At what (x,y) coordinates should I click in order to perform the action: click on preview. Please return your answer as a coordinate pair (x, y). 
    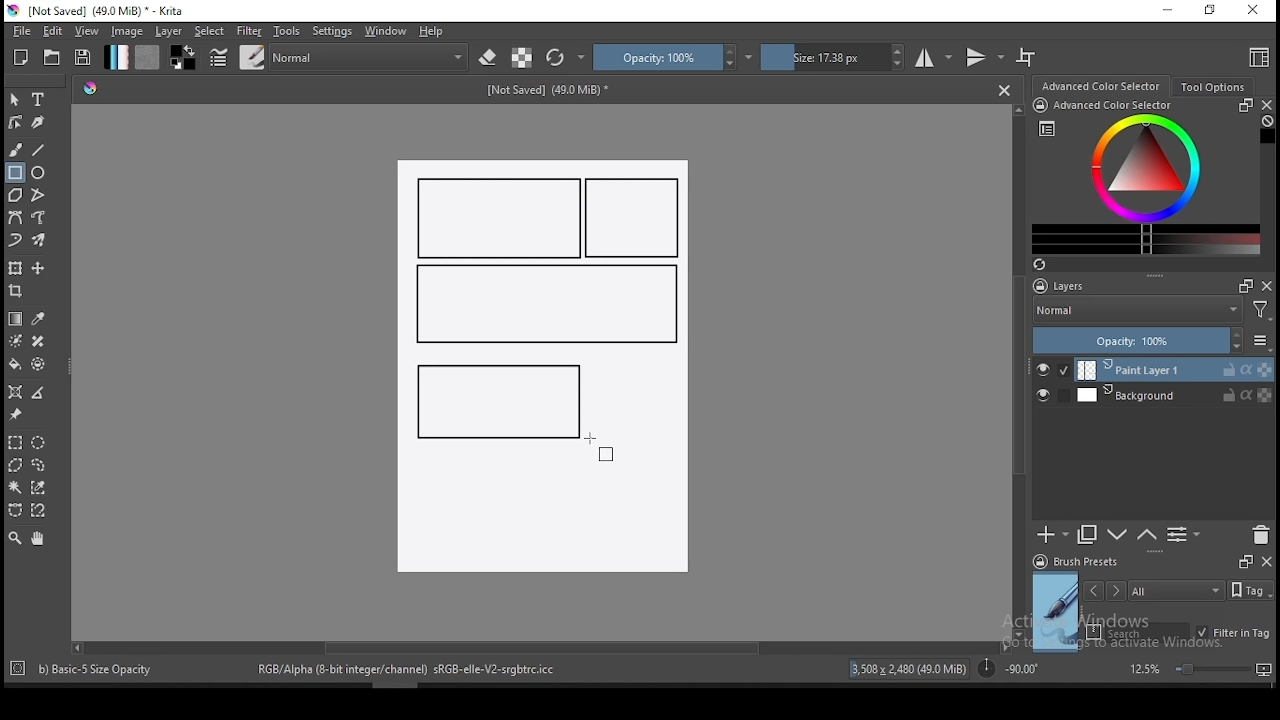
    Looking at the image, I should click on (1056, 612).